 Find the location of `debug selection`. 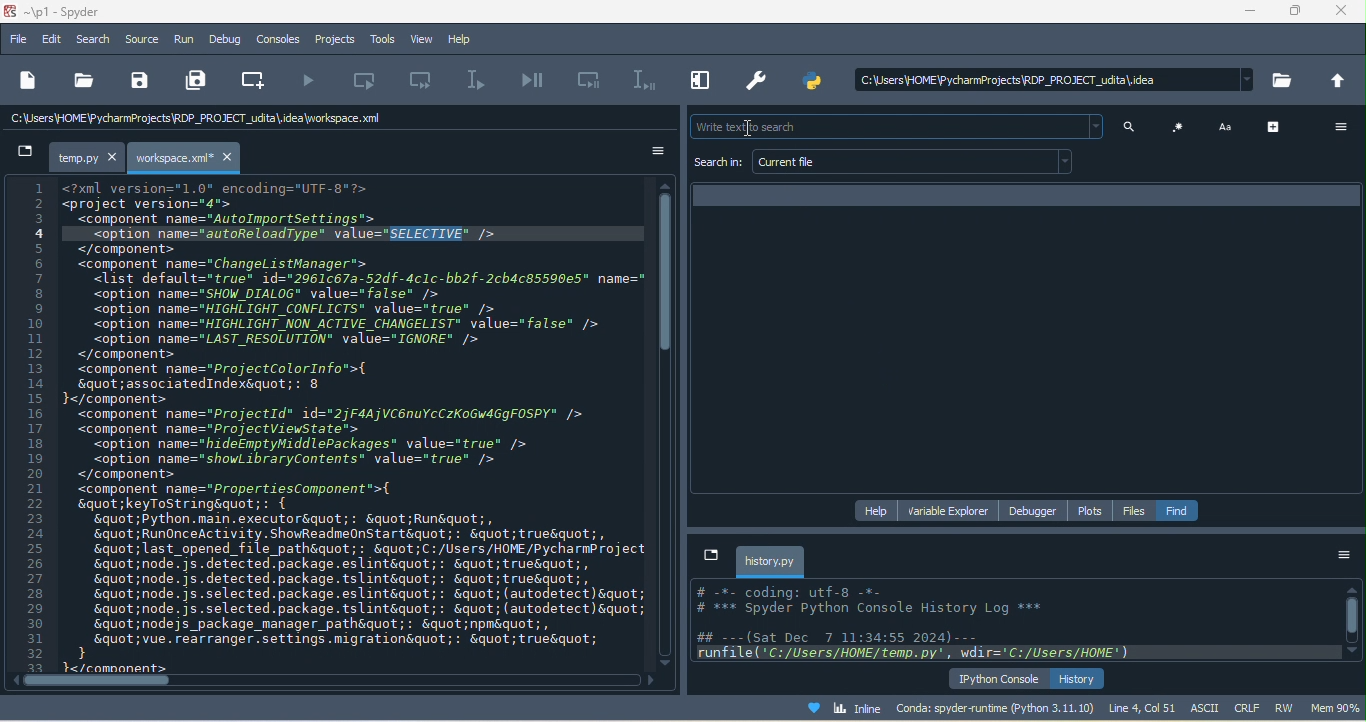

debug selection is located at coordinates (640, 80).